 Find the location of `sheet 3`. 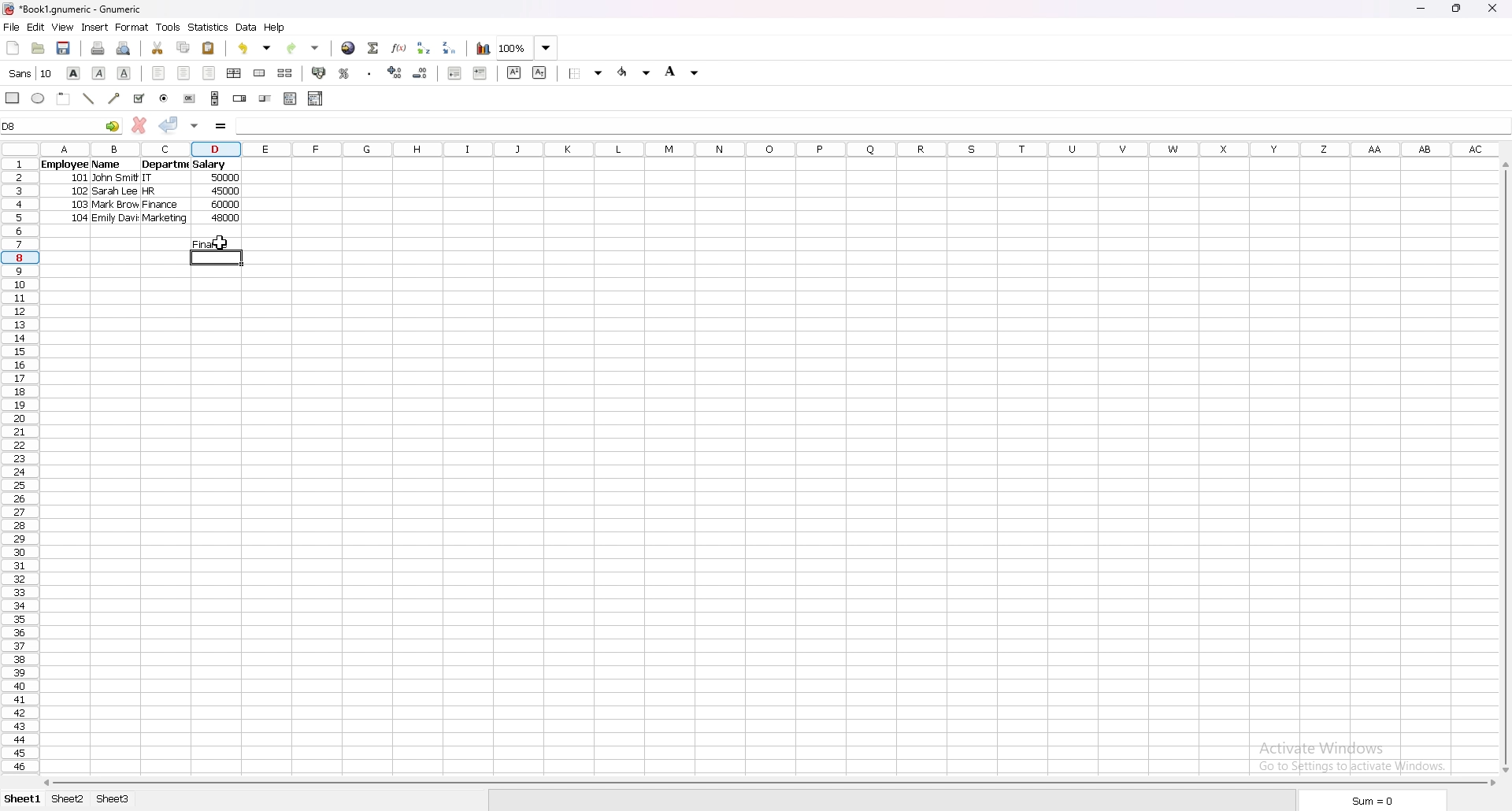

sheet 3 is located at coordinates (113, 800).